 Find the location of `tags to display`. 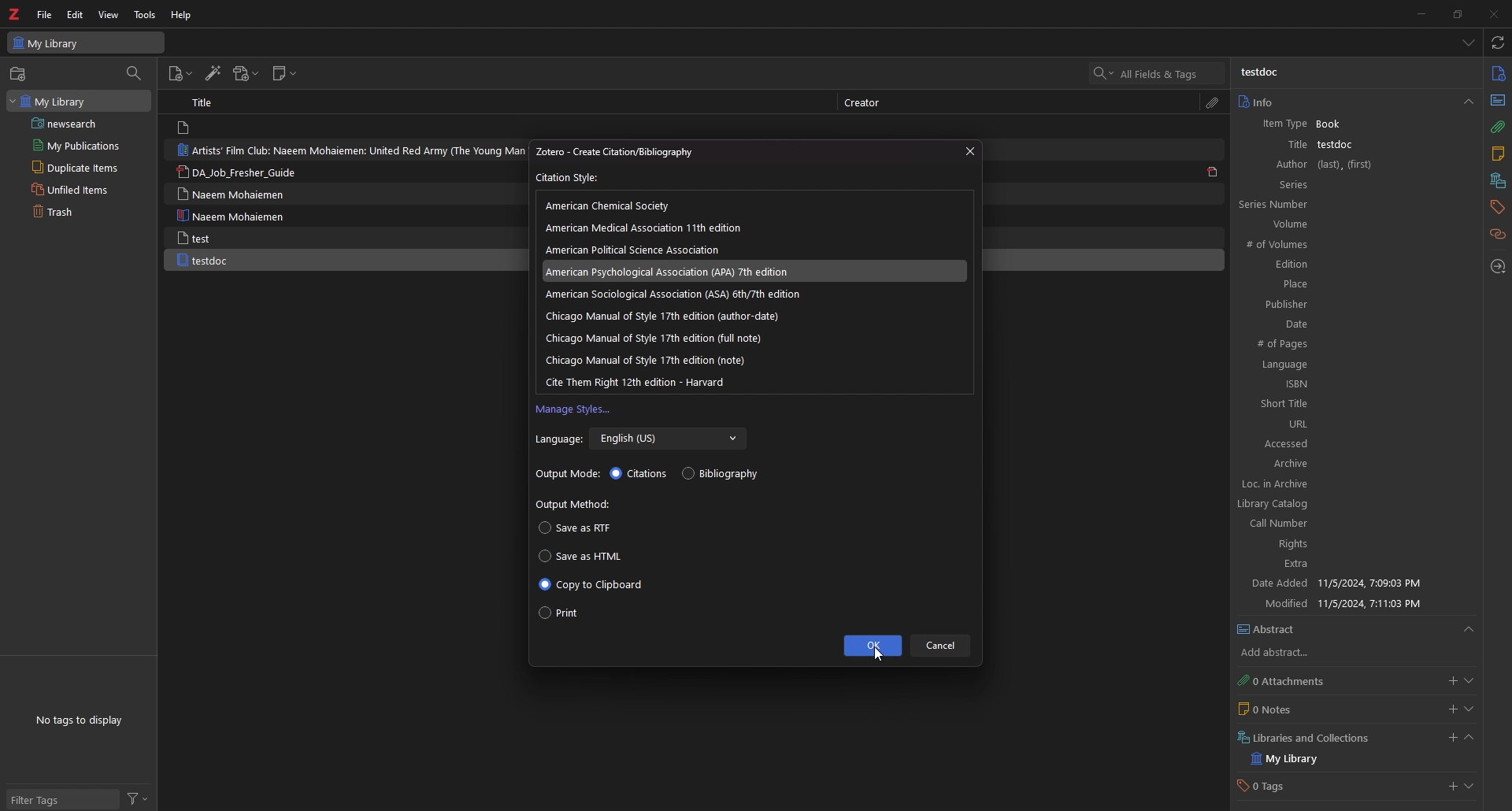

tags to display is located at coordinates (83, 720).